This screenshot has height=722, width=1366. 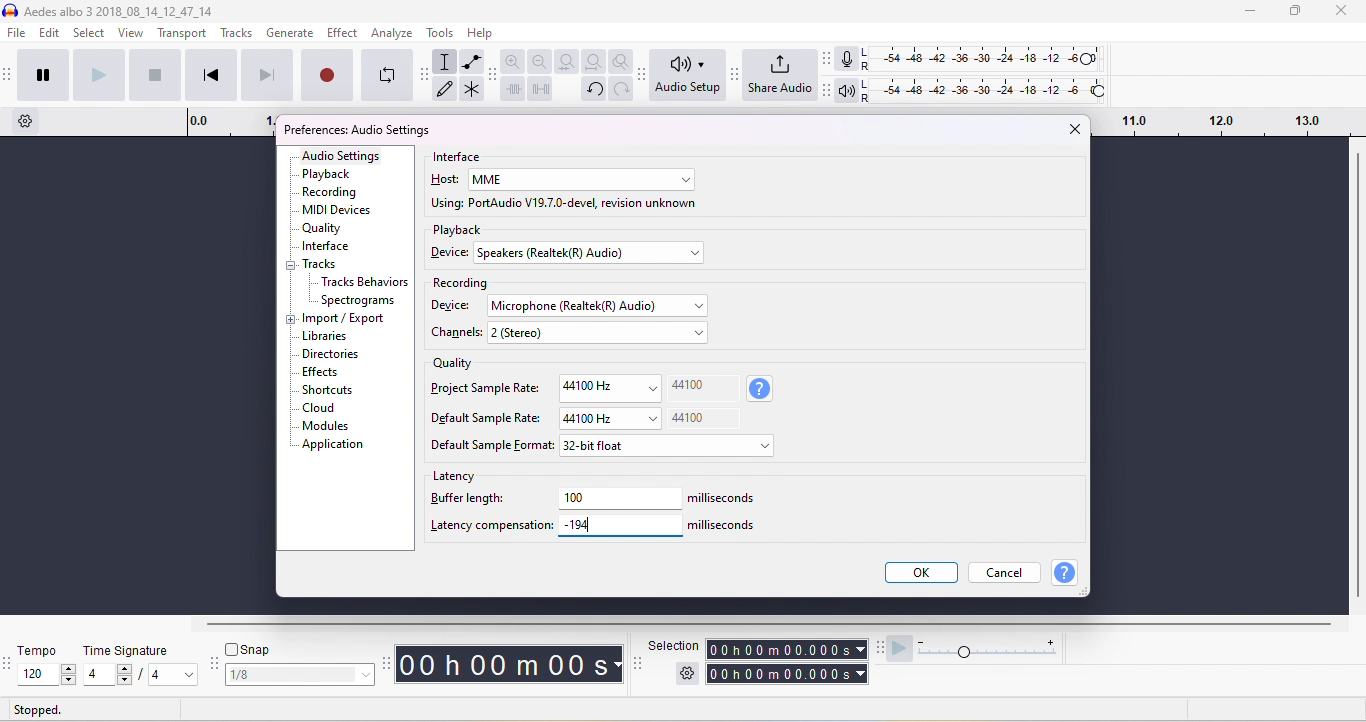 What do you see at coordinates (544, 92) in the screenshot?
I see `silence the selection` at bounding box center [544, 92].